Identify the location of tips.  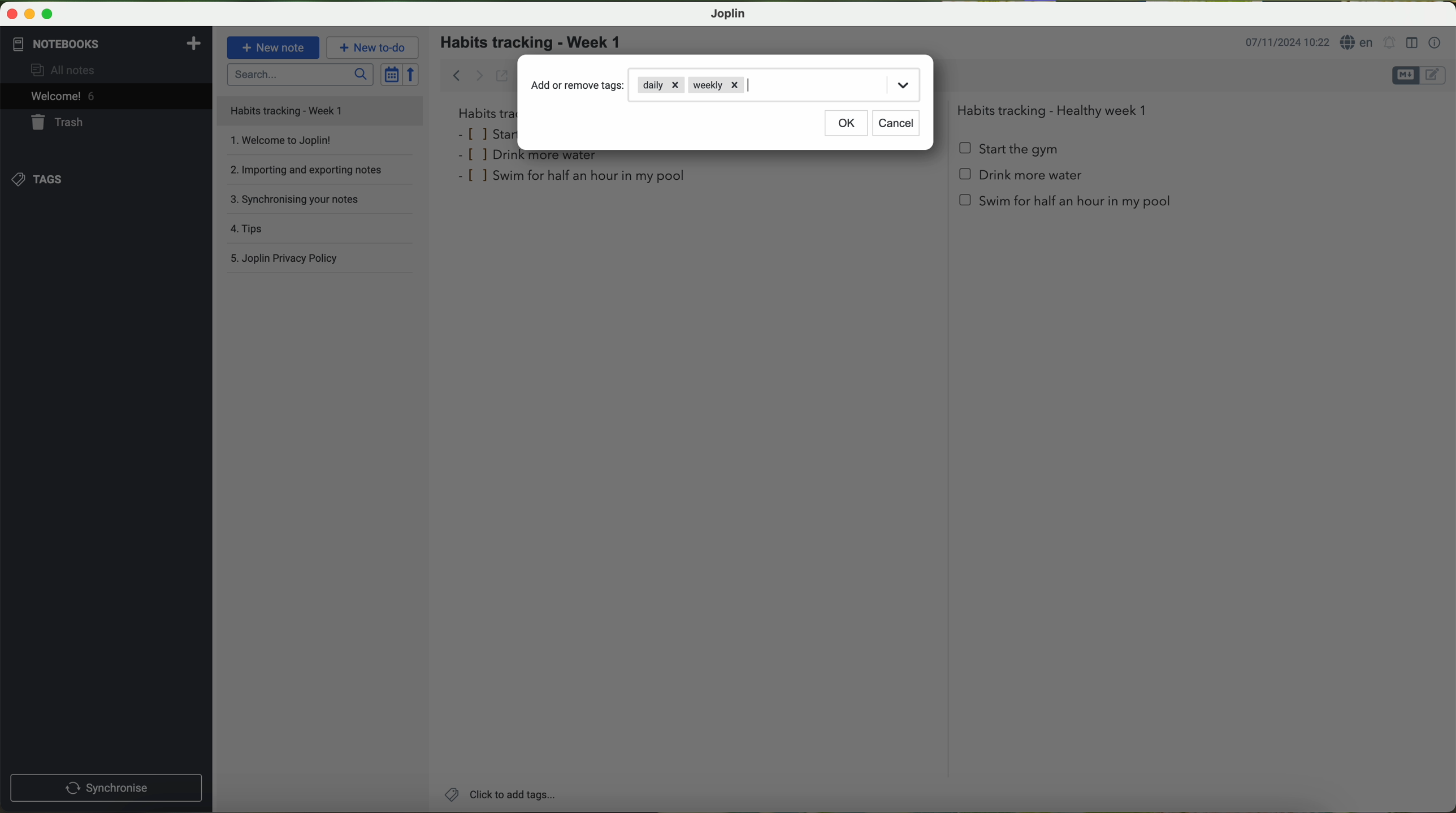
(322, 231).